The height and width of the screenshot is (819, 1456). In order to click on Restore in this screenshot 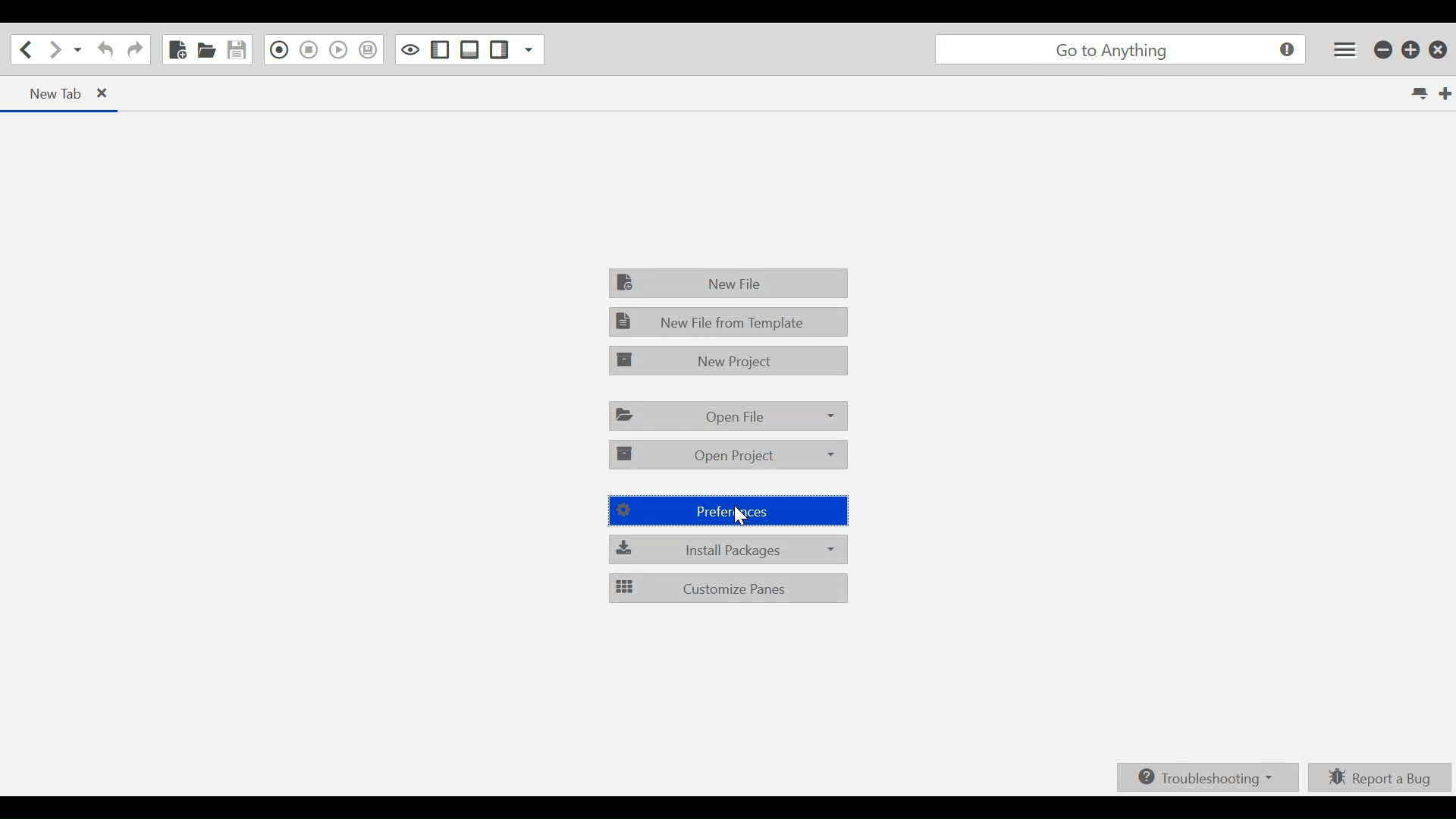, I will do `click(1411, 49)`.